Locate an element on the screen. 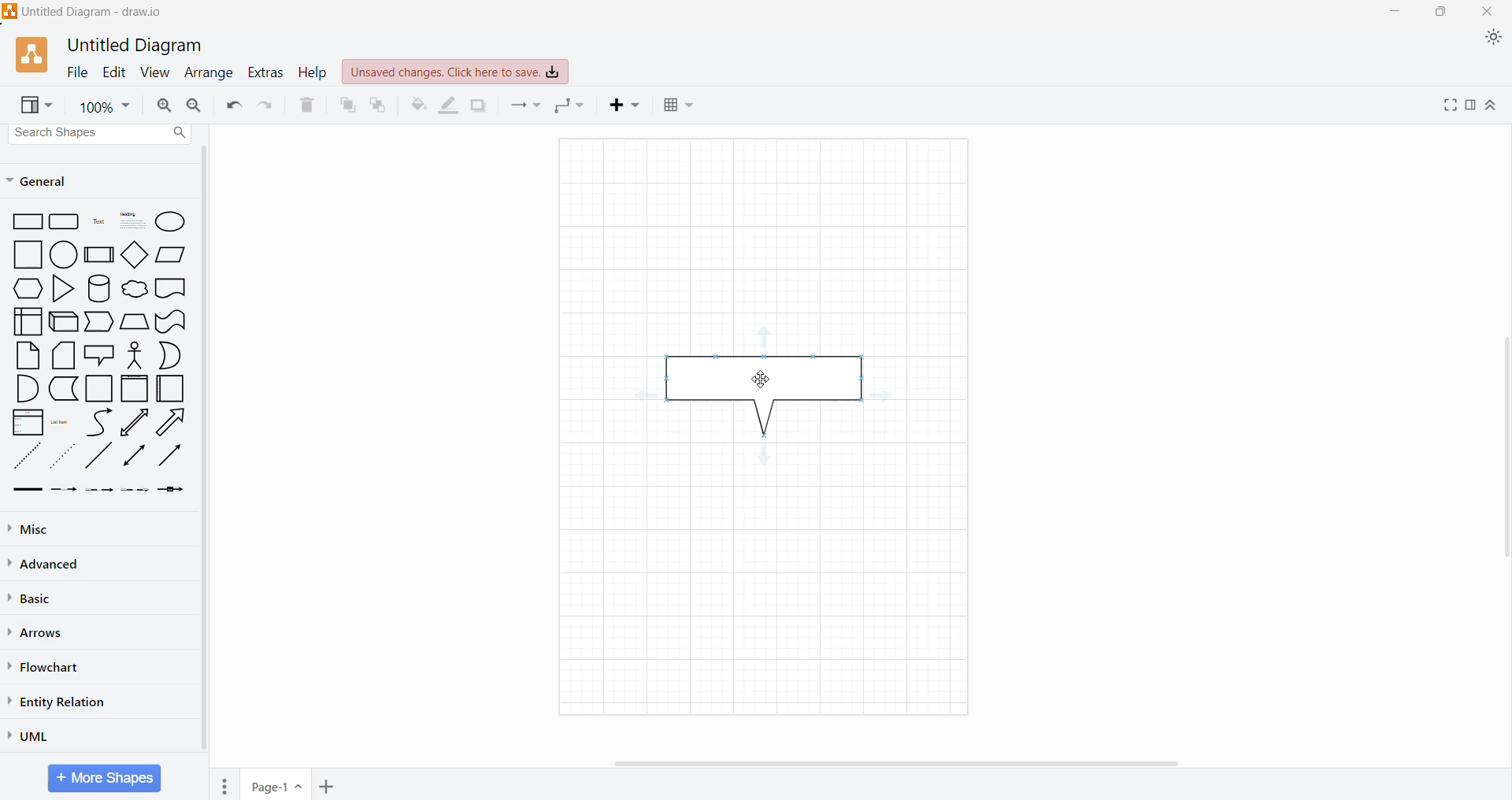 The image size is (1512, 800). Cursor on shape is located at coordinates (765, 380).